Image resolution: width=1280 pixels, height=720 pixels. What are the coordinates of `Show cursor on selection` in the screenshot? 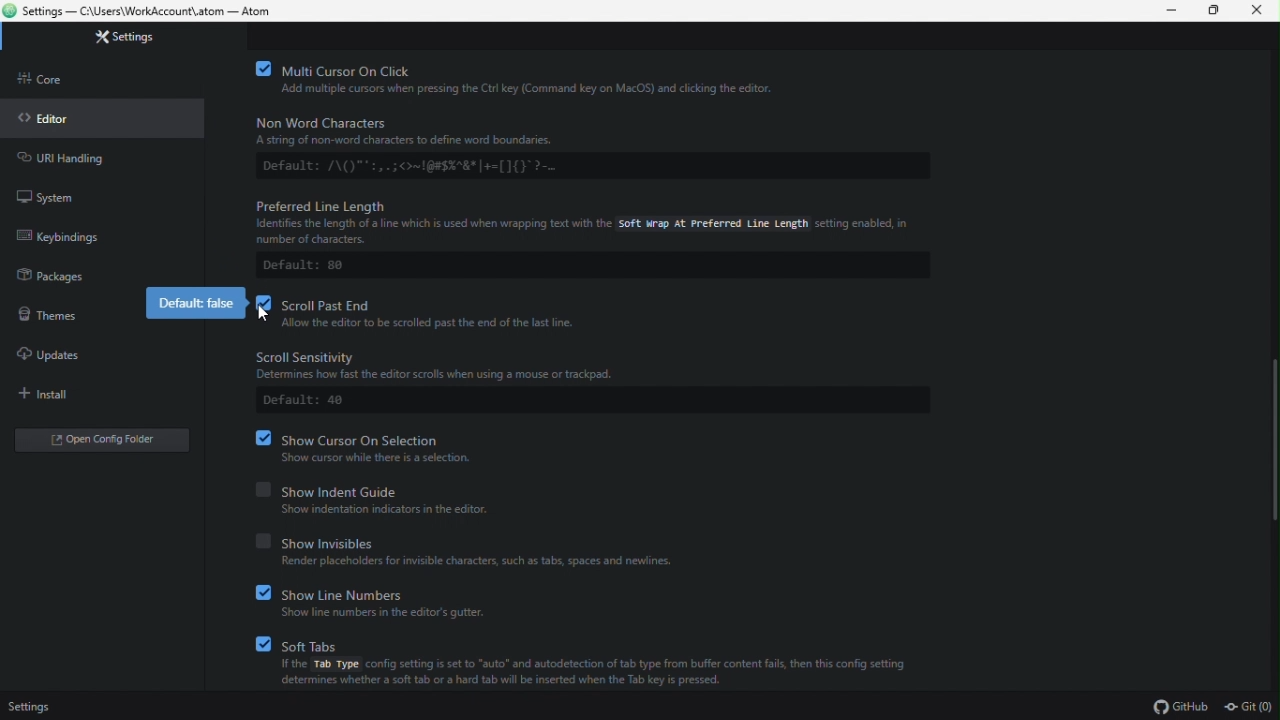 It's located at (372, 437).